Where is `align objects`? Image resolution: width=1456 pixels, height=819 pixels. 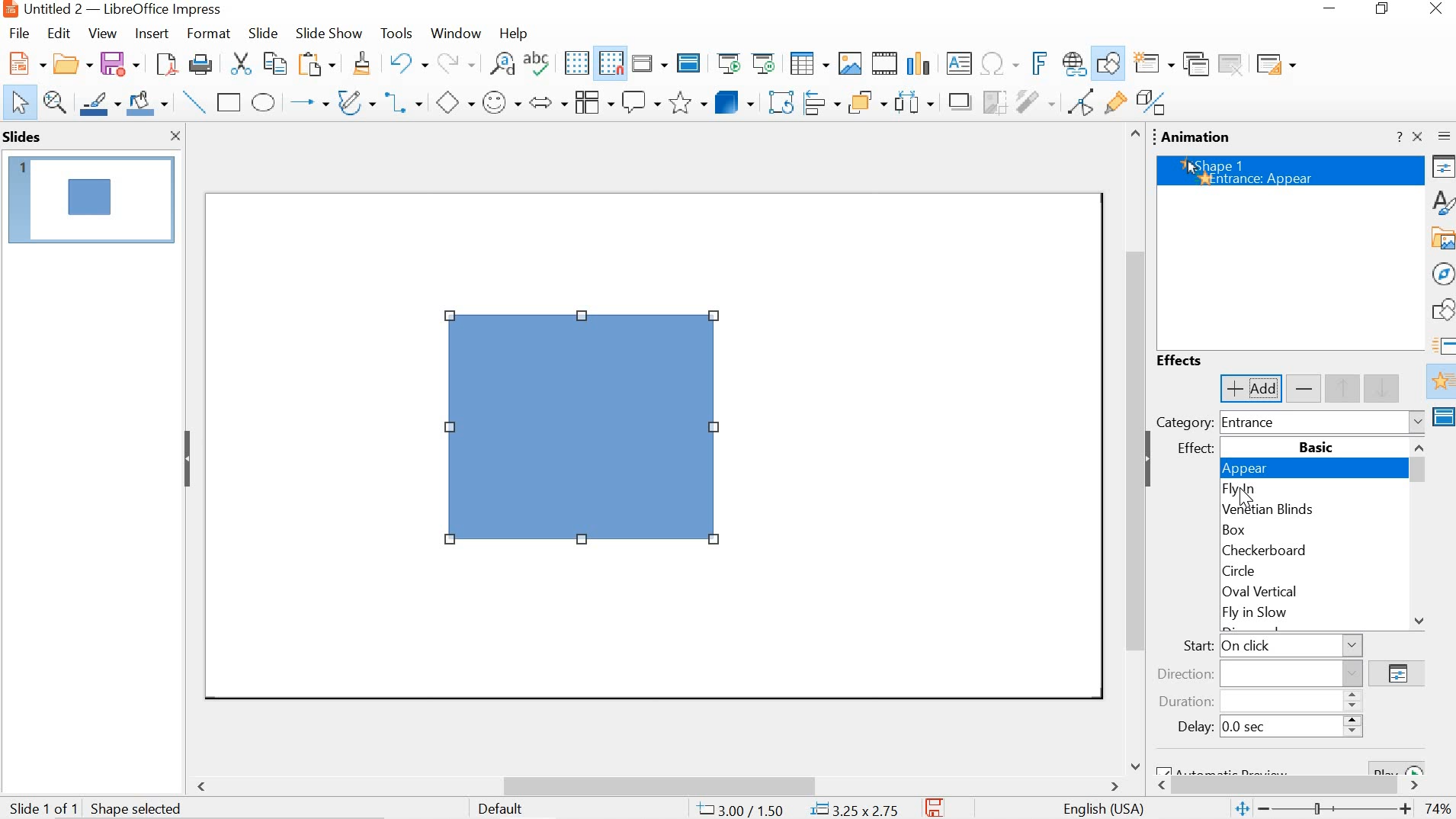
align objects is located at coordinates (822, 100).